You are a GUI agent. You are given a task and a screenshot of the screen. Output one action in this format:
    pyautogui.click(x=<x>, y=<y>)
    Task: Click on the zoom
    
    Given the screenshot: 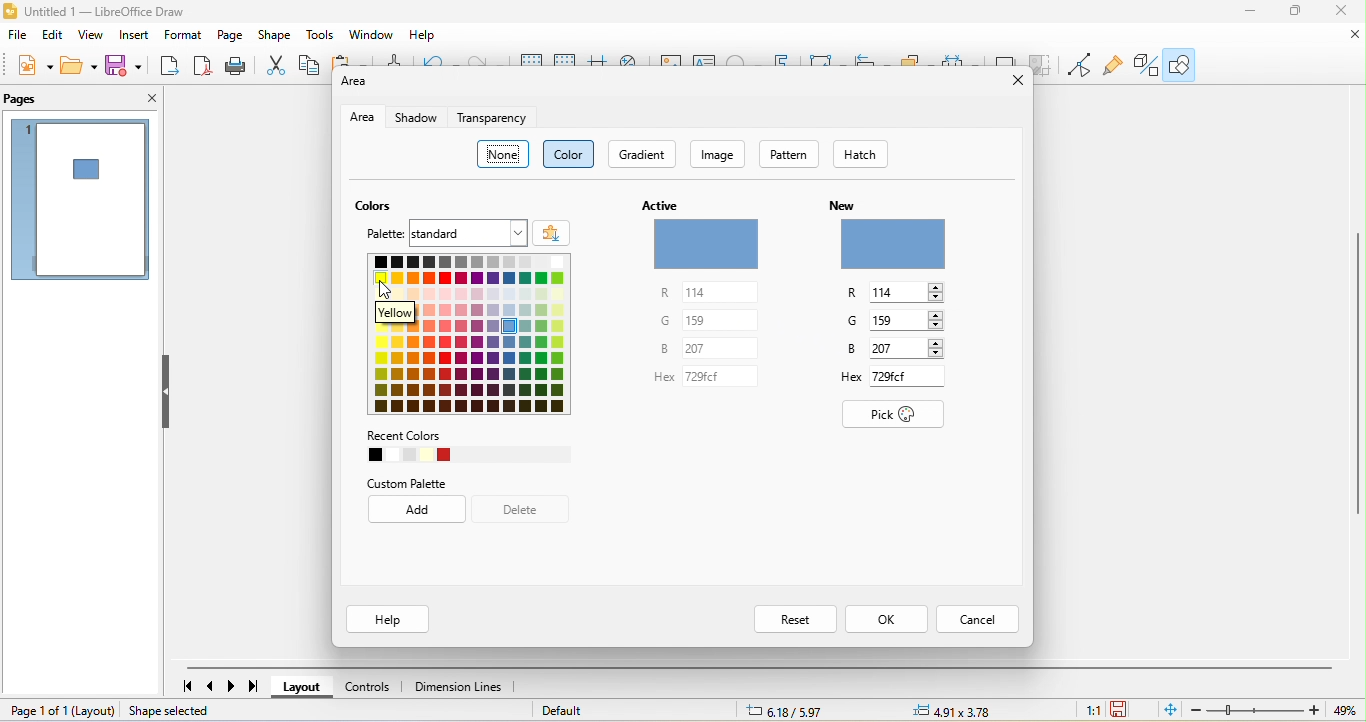 What is the action you would take?
    pyautogui.click(x=1274, y=711)
    